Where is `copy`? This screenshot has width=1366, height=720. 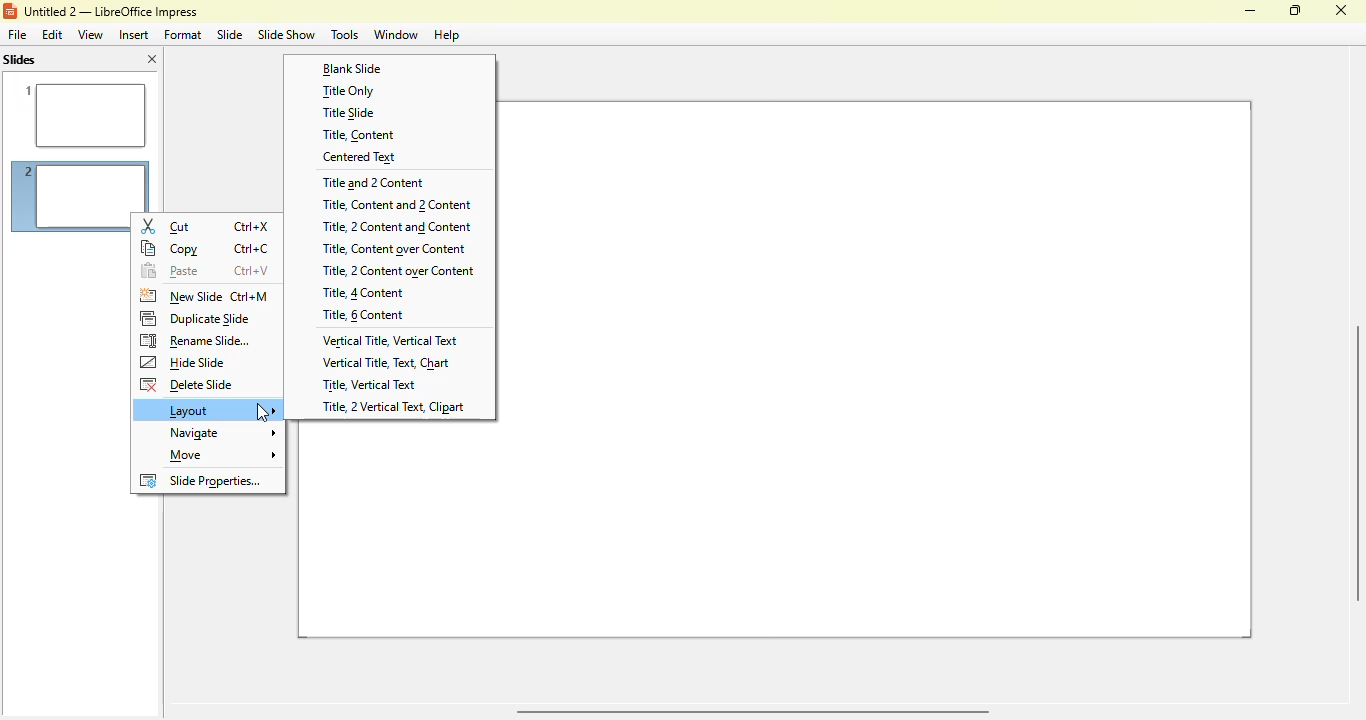 copy is located at coordinates (169, 248).